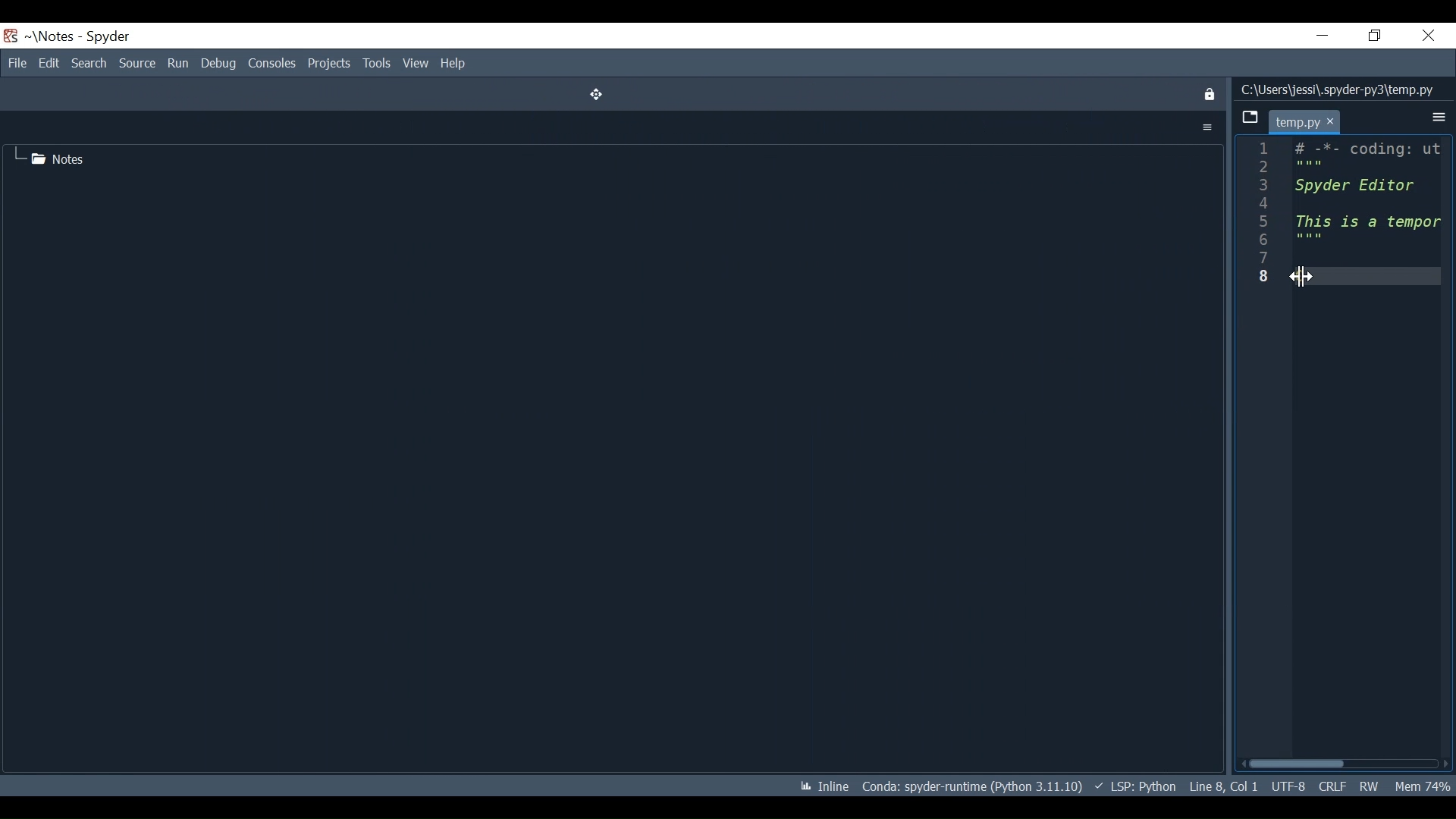 This screenshot has width=1456, height=819. What do you see at coordinates (1323, 35) in the screenshot?
I see `Minimize` at bounding box center [1323, 35].